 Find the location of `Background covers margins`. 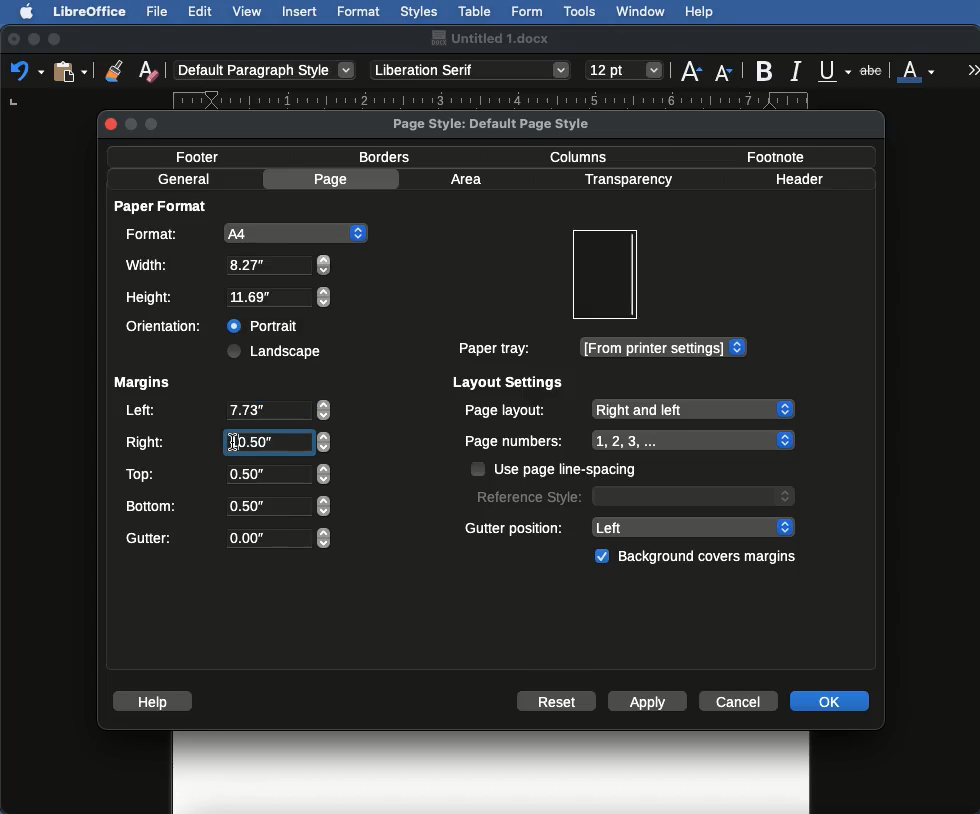

Background covers margins is located at coordinates (699, 557).